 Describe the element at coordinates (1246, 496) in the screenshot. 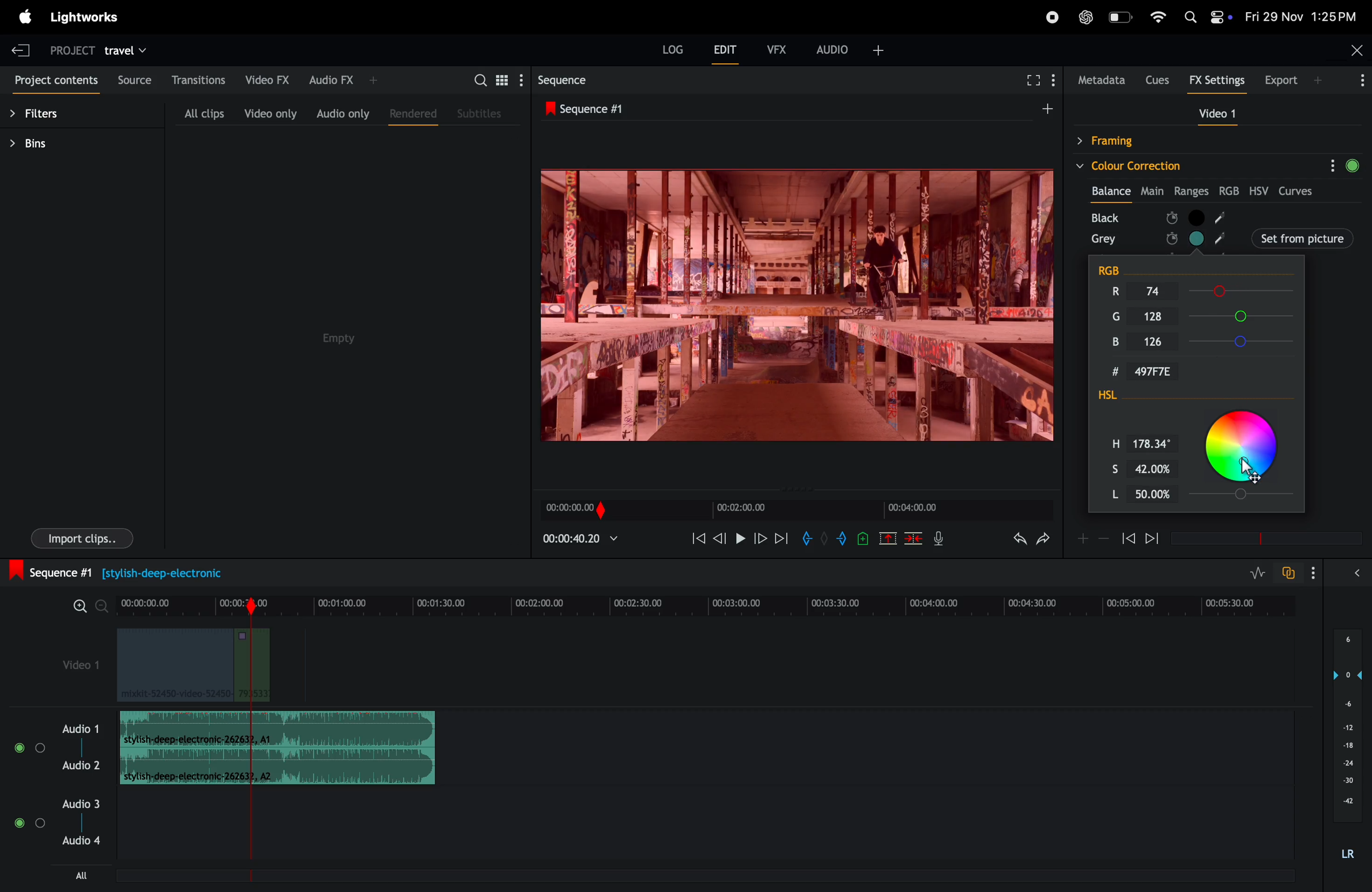

I see `Slider` at that location.